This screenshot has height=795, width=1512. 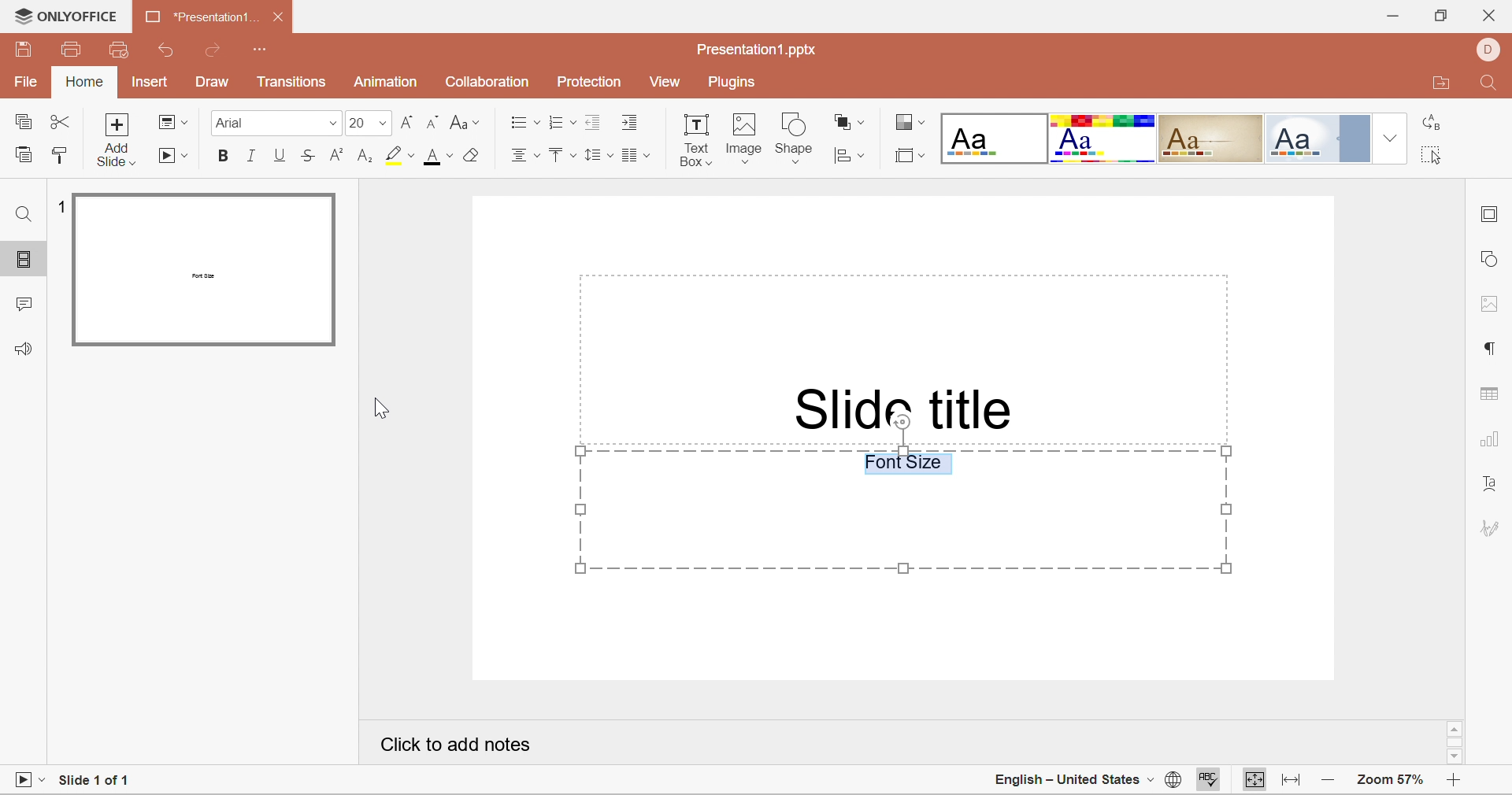 What do you see at coordinates (563, 158) in the screenshot?
I see `Align top` at bounding box center [563, 158].